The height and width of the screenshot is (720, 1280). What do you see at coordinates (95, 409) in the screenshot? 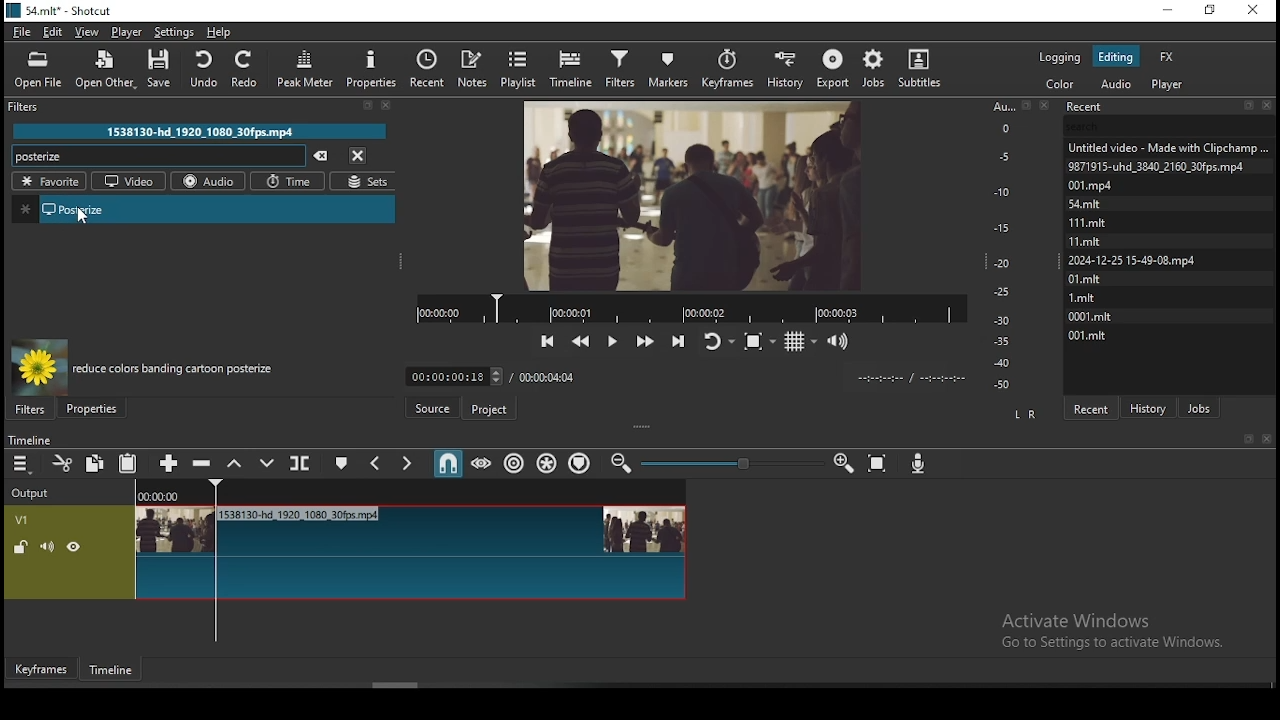
I see `properties` at bounding box center [95, 409].